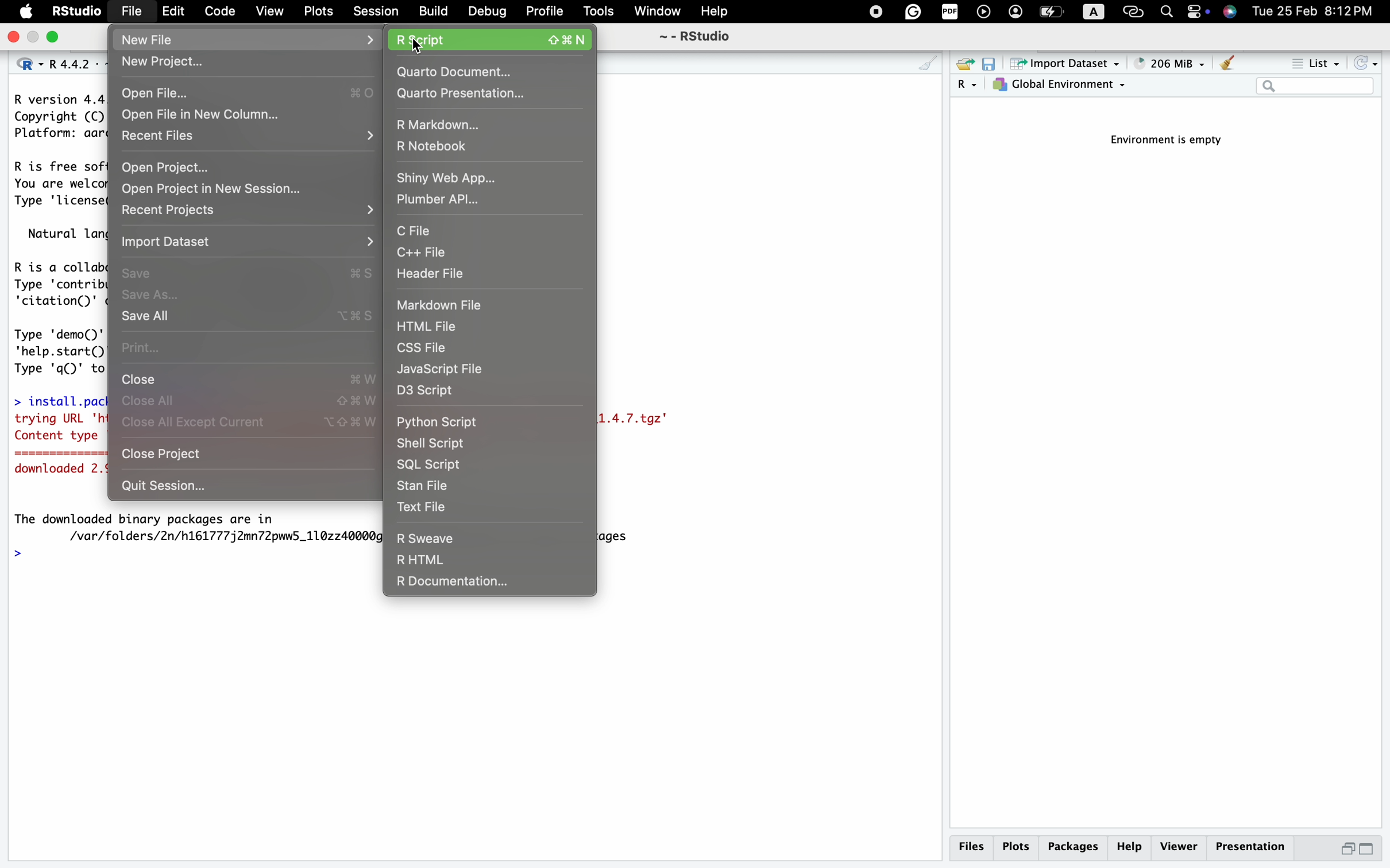 The image size is (1390, 868). I want to click on stop, so click(872, 11).